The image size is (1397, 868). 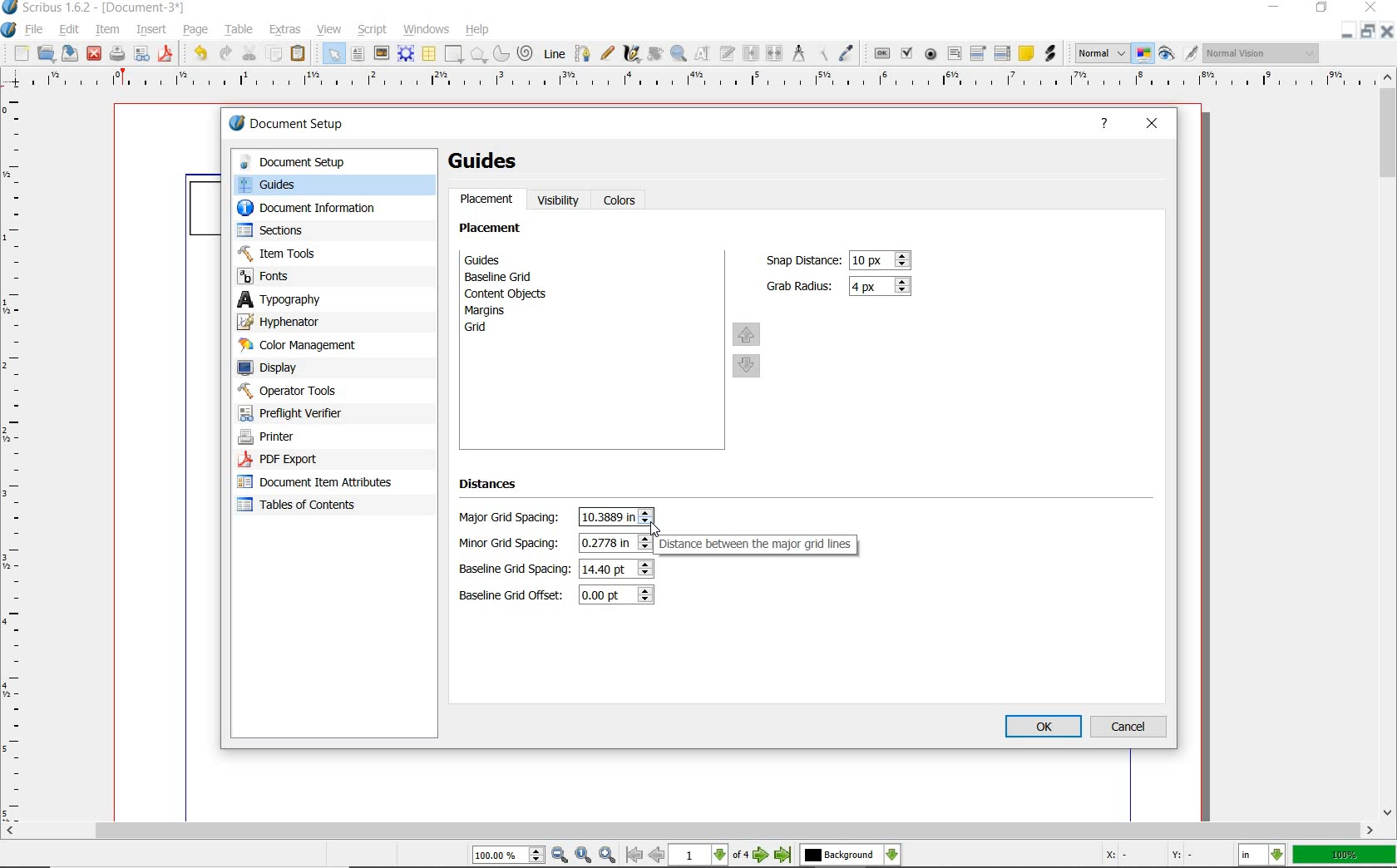 I want to click on ok, so click(x=1044, y=727).